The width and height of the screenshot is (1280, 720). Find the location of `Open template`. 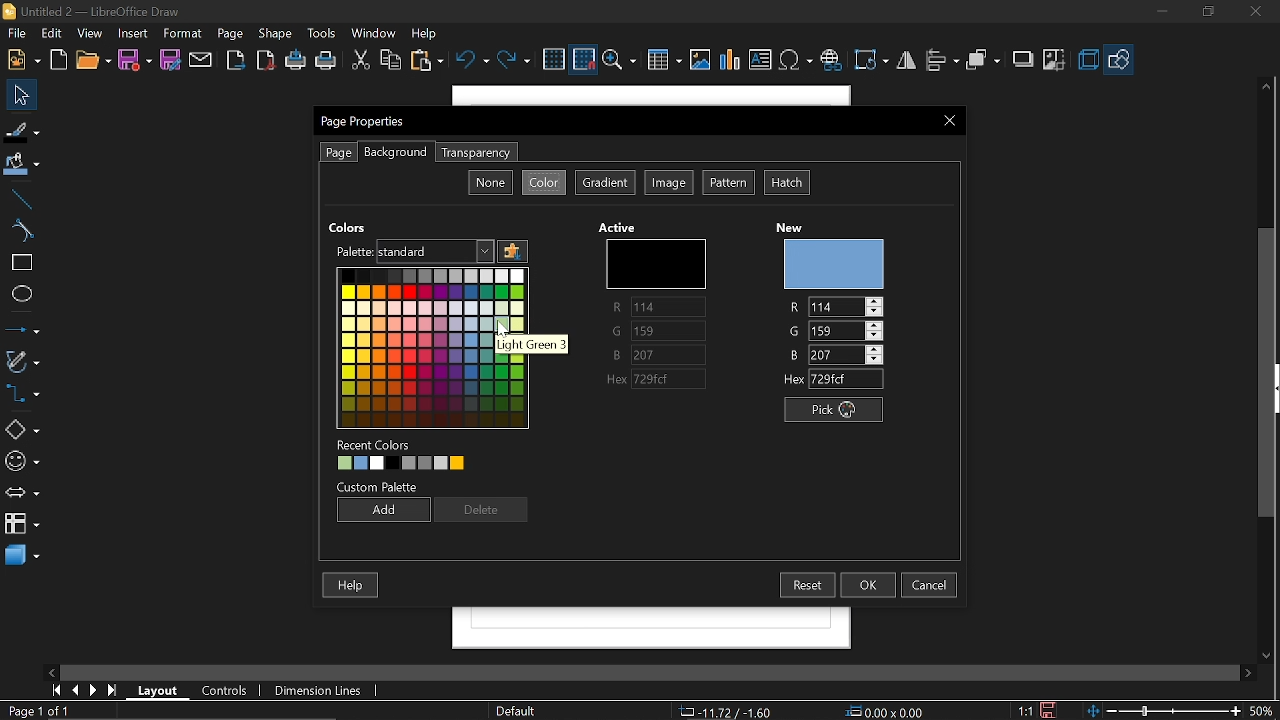

Open template is located at coordinates (60, 60).